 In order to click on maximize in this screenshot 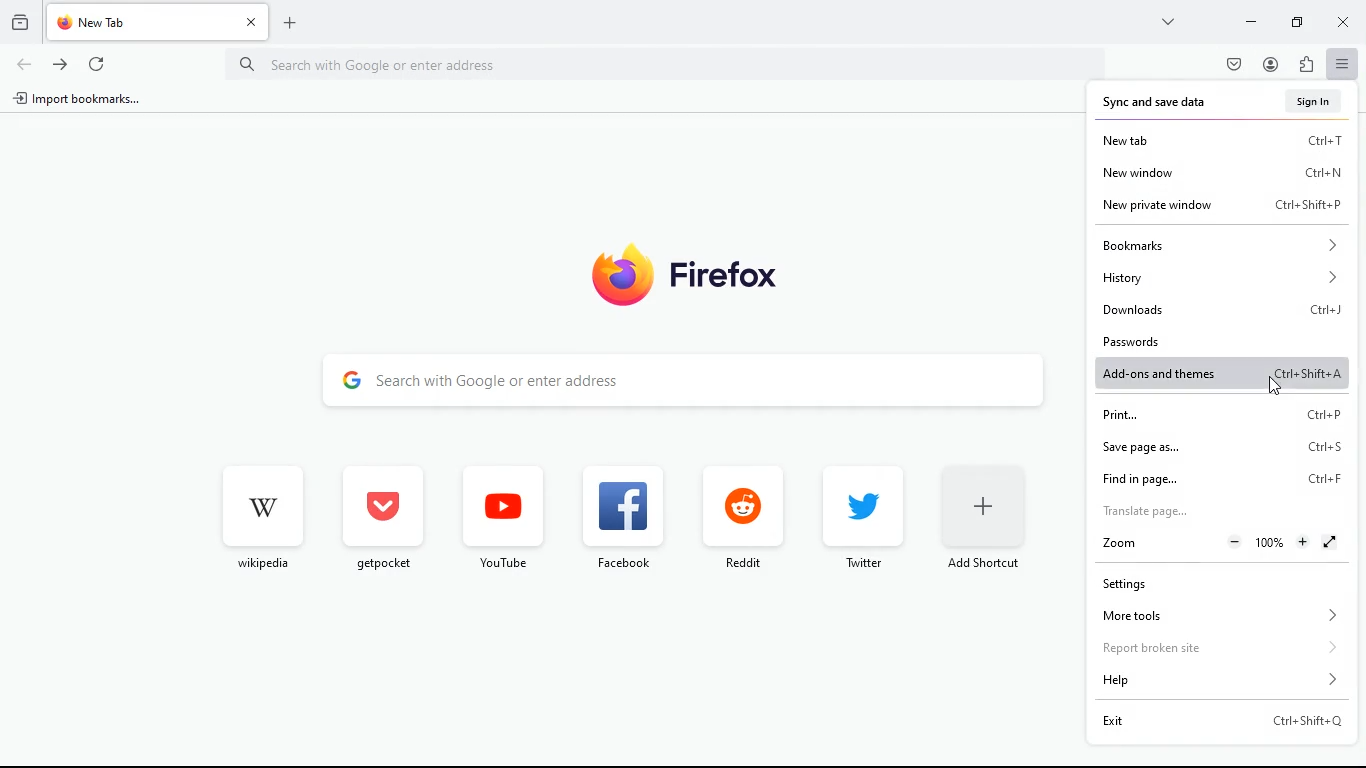, I will do `click(1291, 22)`.